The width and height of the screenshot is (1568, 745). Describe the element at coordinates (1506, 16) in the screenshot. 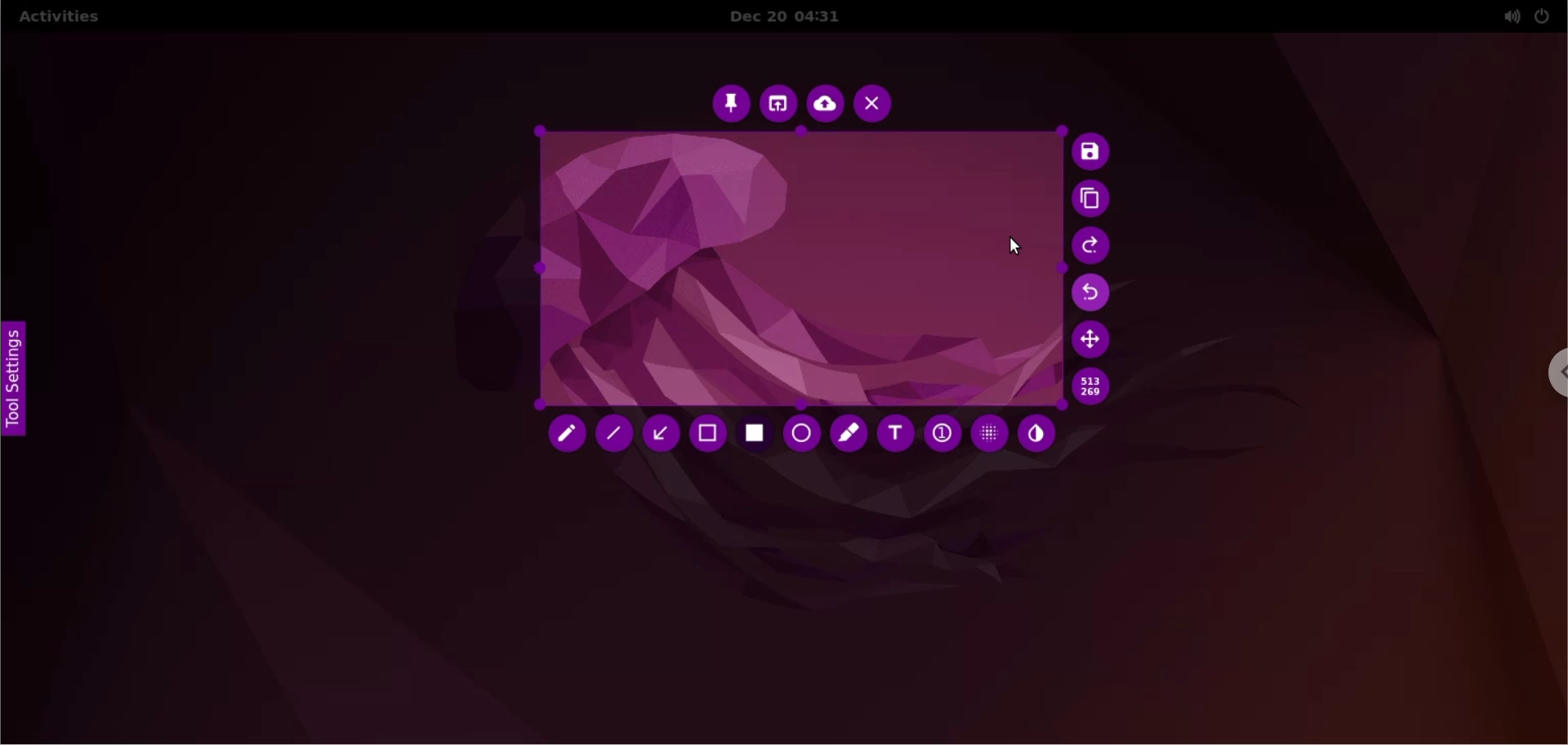

I see `sound setting options` at that location.